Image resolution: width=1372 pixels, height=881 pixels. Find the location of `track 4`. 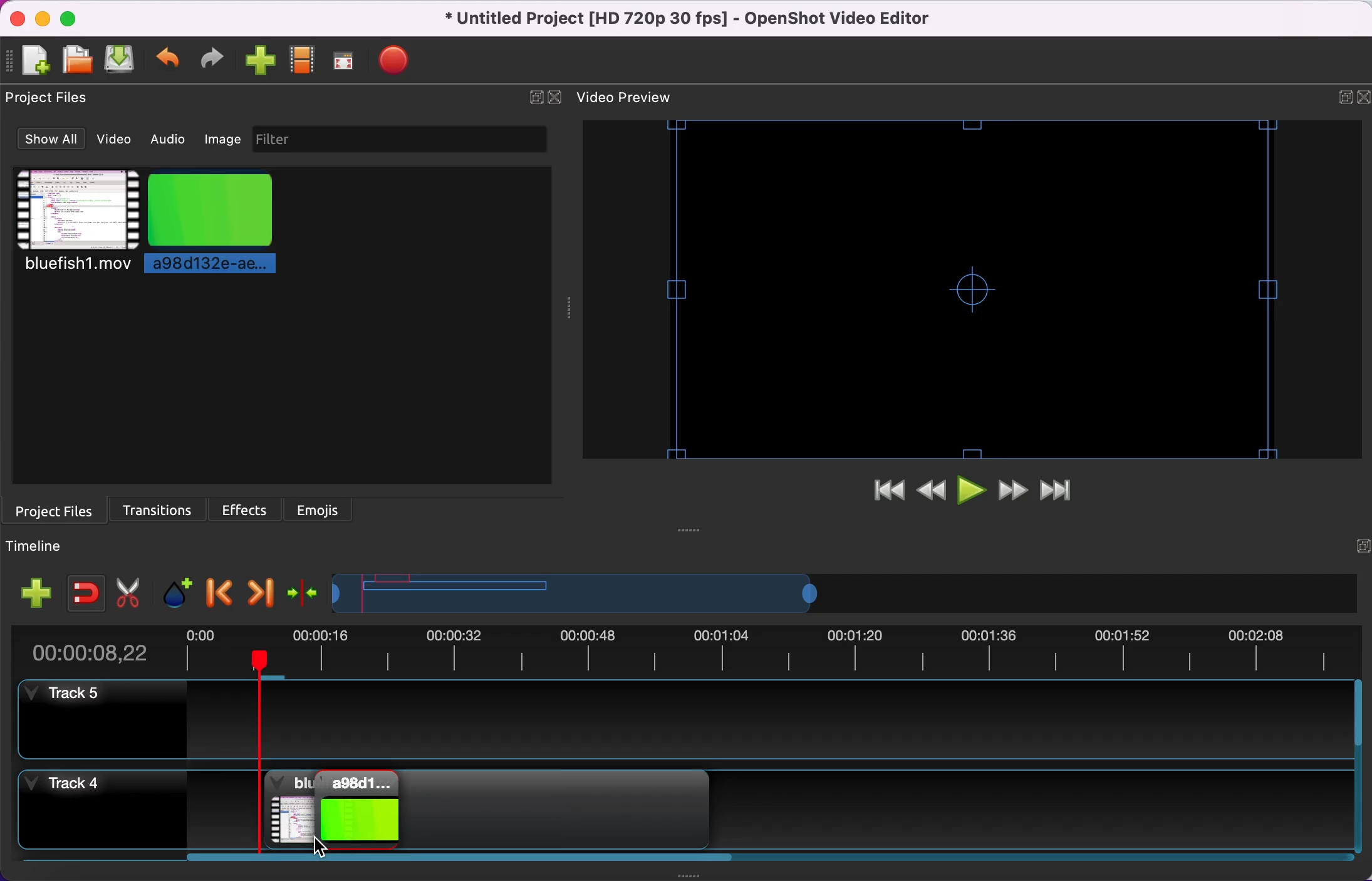

track 4 is located at coordinates (95, 808).